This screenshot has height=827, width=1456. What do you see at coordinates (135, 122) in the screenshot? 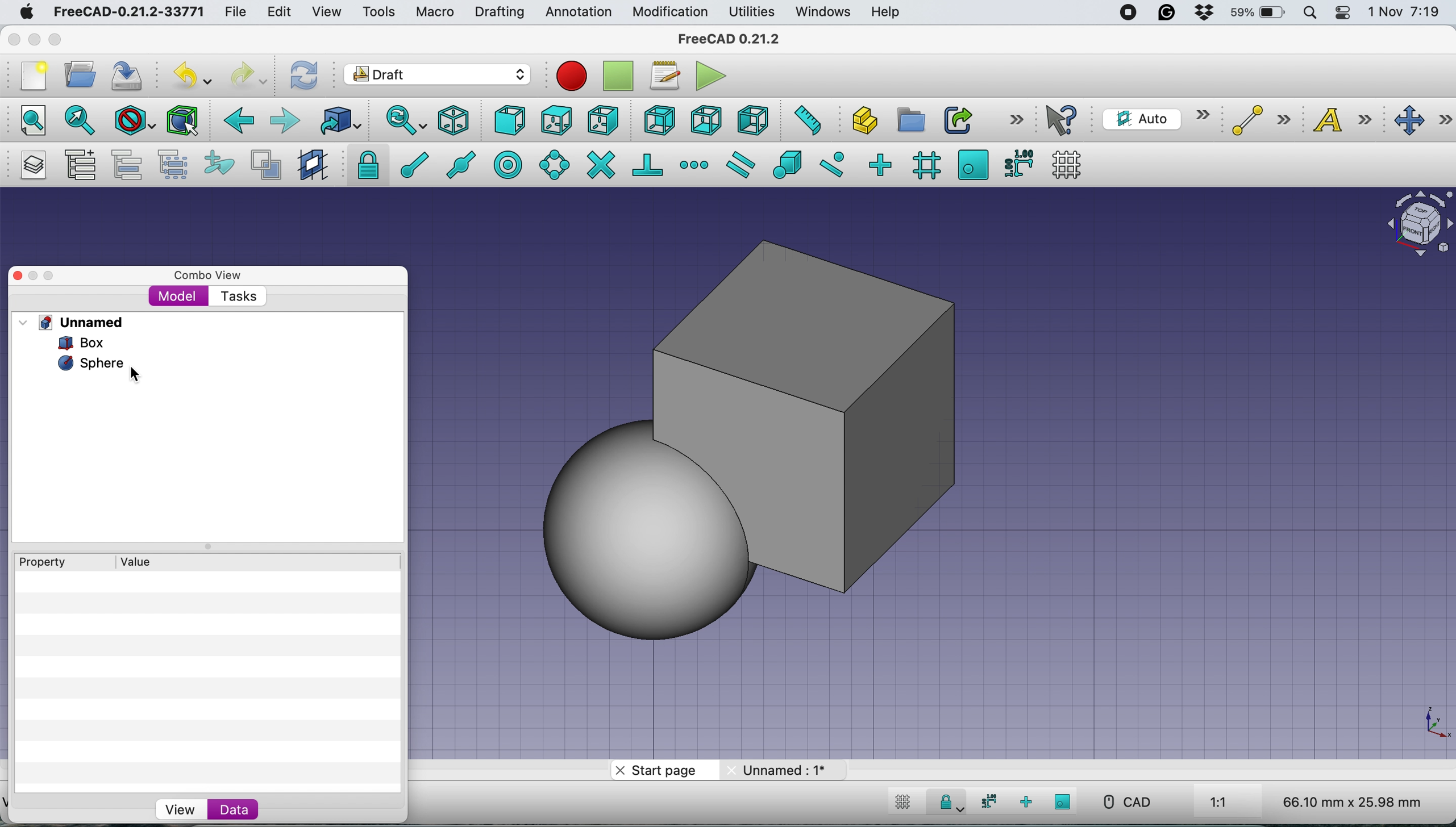
I see `draw style` at bounding box center [135, 122].